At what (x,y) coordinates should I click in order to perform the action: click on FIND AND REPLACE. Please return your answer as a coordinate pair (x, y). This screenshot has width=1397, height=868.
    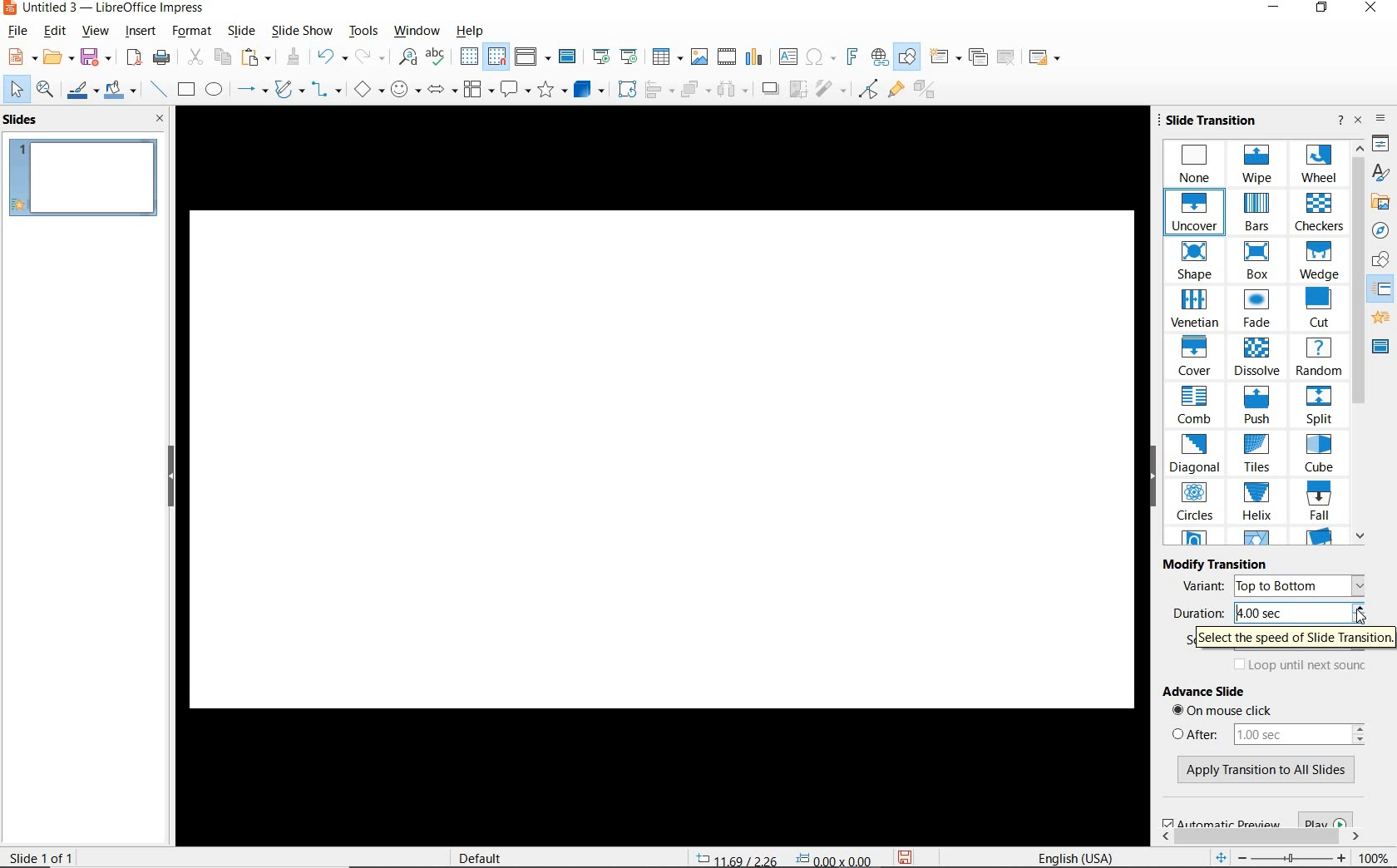
    Looking at the image, I should click on (407, 58).